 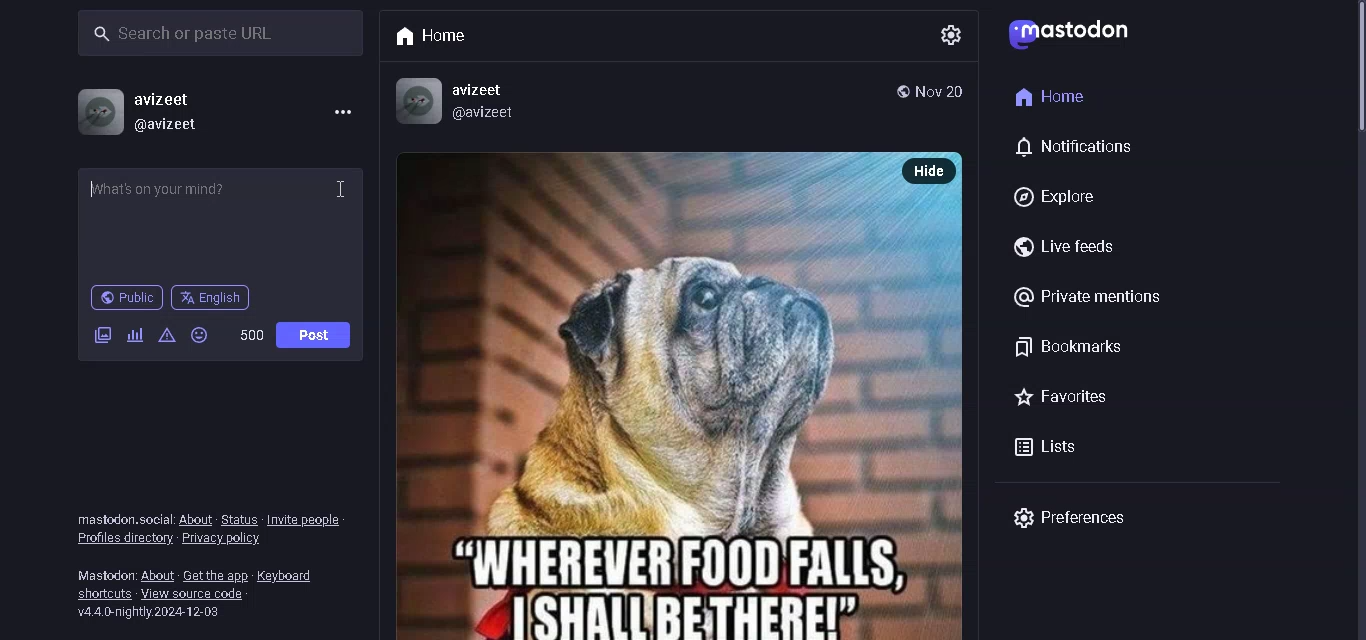 I want to click on Profile Picture, so click(x=418, y=99).